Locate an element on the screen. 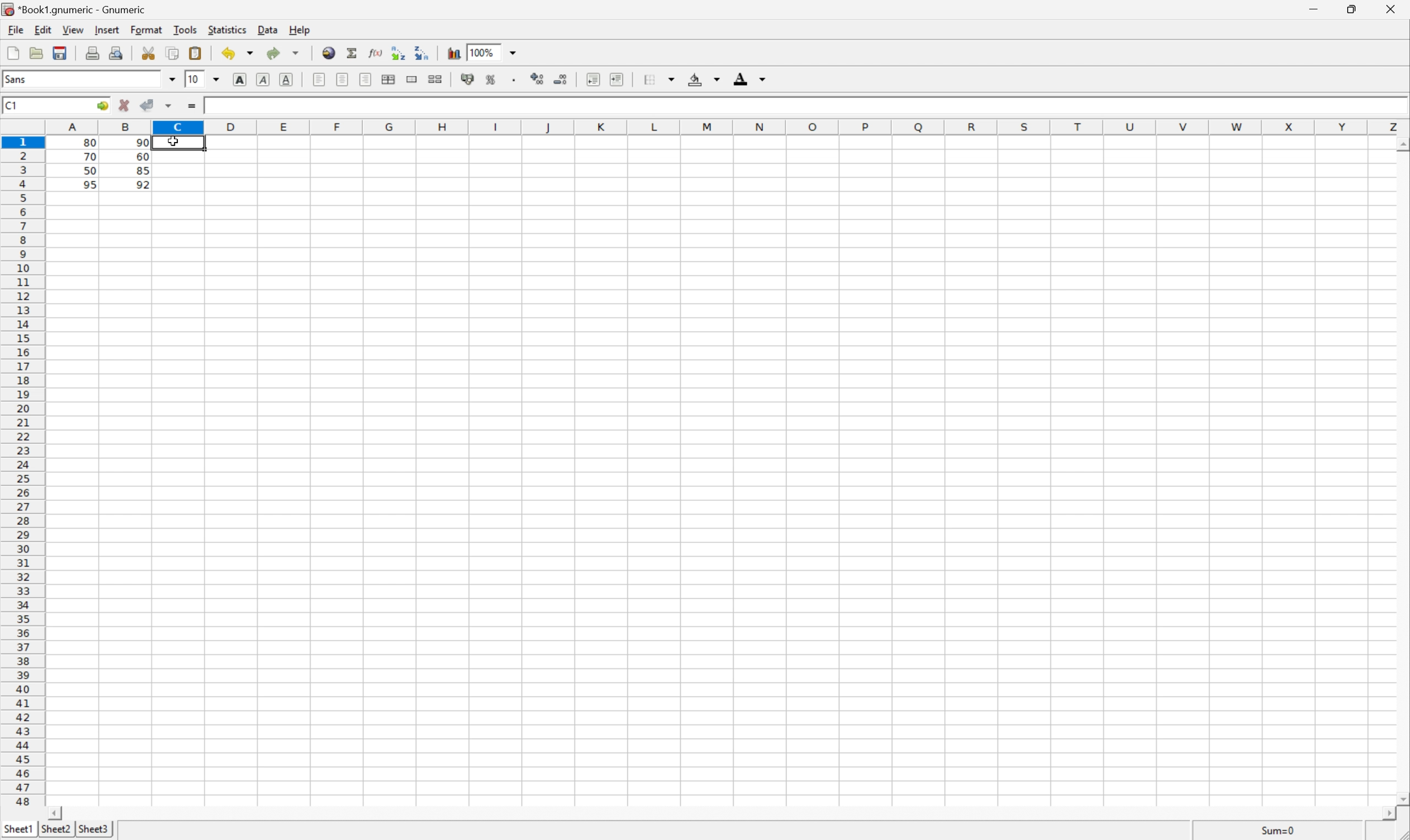 Image resolution: width=1410 pixels, height=840 pixels. Align Right is located at coordinates (318, 80).